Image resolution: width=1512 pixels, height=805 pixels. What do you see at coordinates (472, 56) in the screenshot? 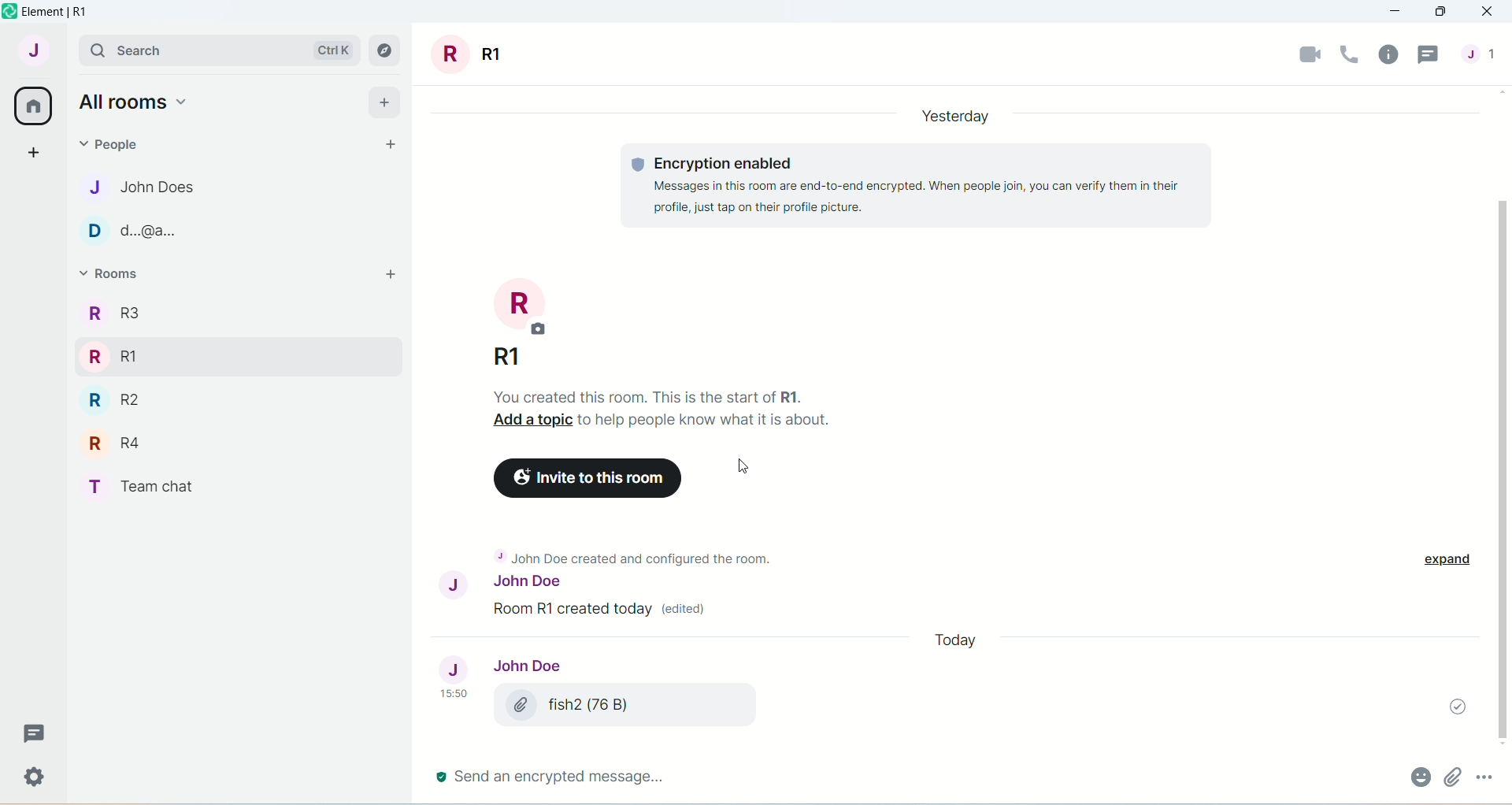
I see `room title` at bounding box center [472, 56].